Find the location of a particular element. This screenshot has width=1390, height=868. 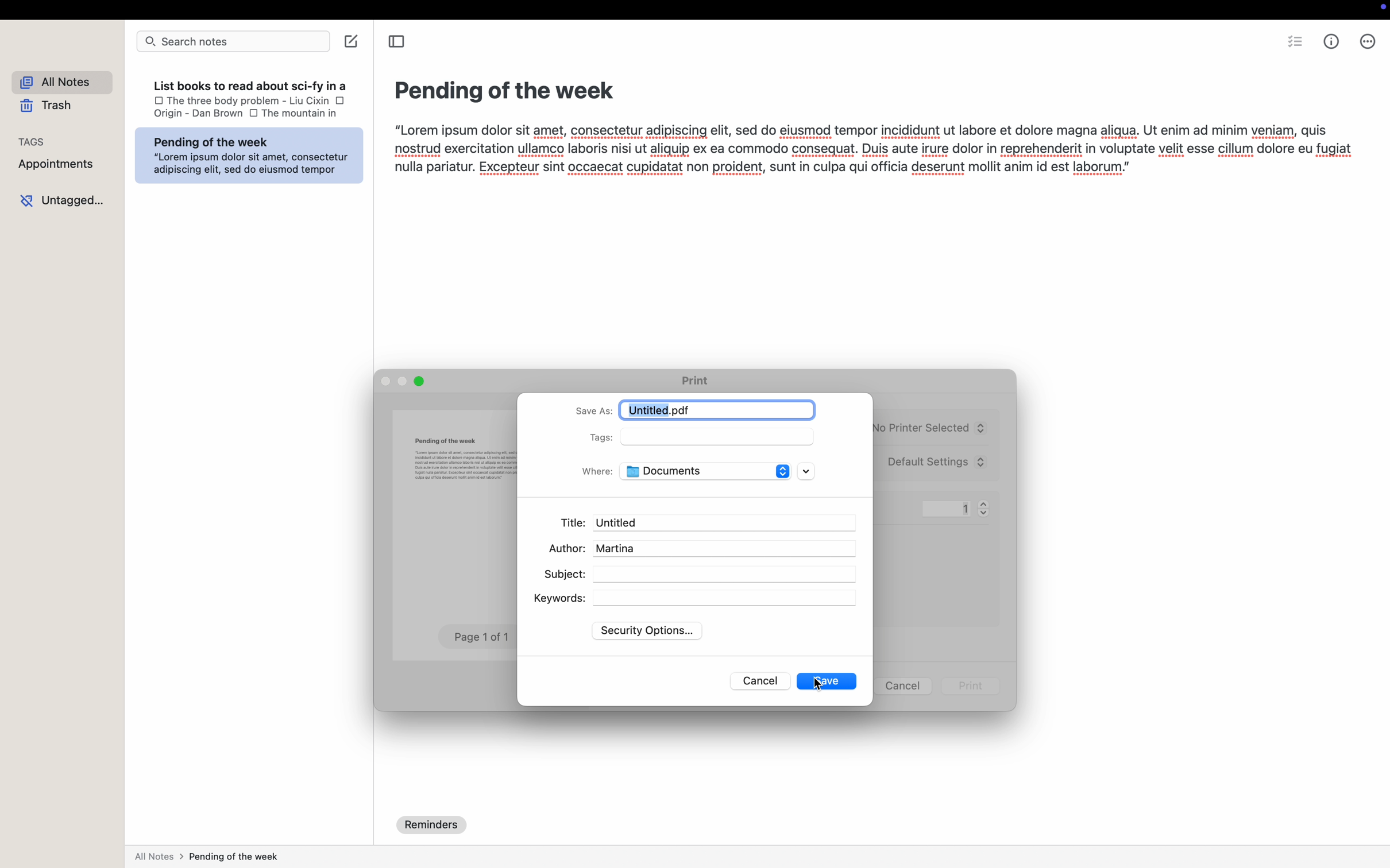

1 is located at coordinates (955, 510).